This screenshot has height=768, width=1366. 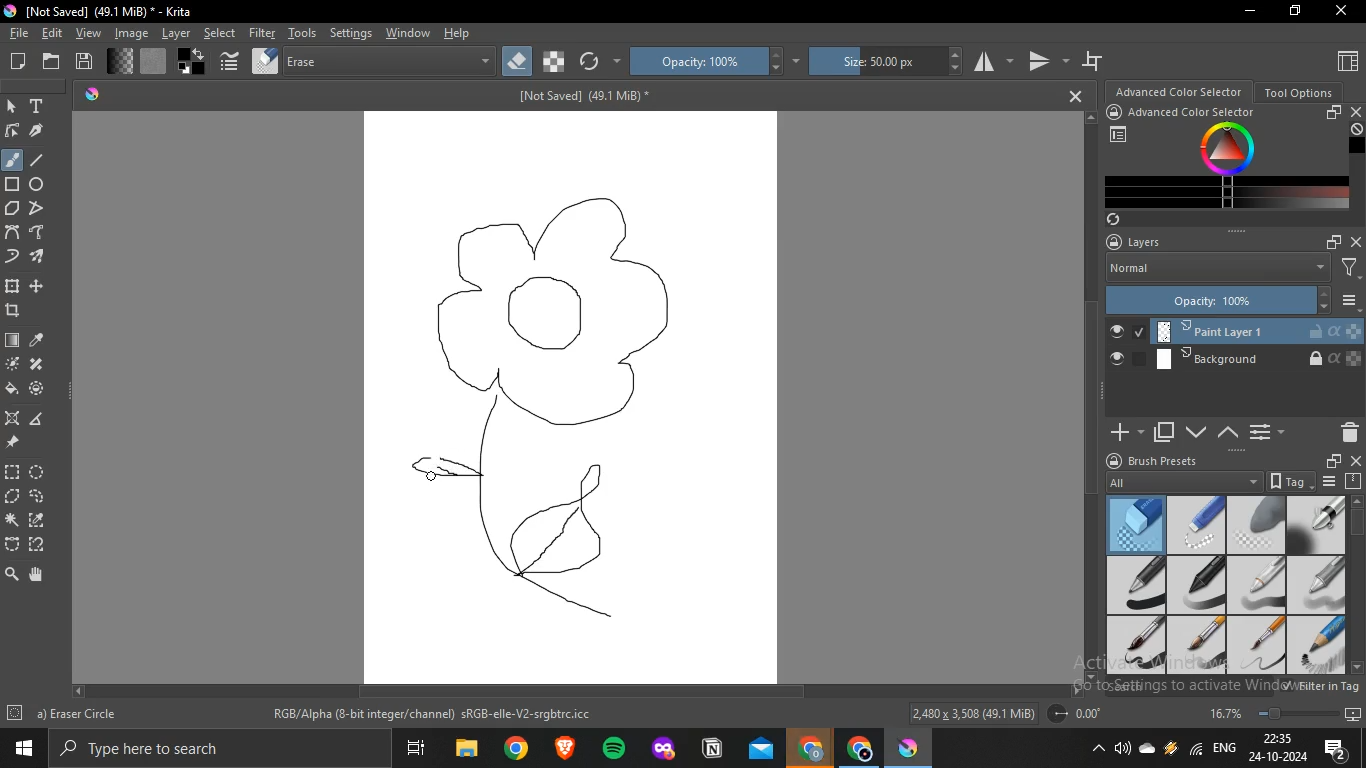 I want to click on eraser small, so click(x=1196, y=524).